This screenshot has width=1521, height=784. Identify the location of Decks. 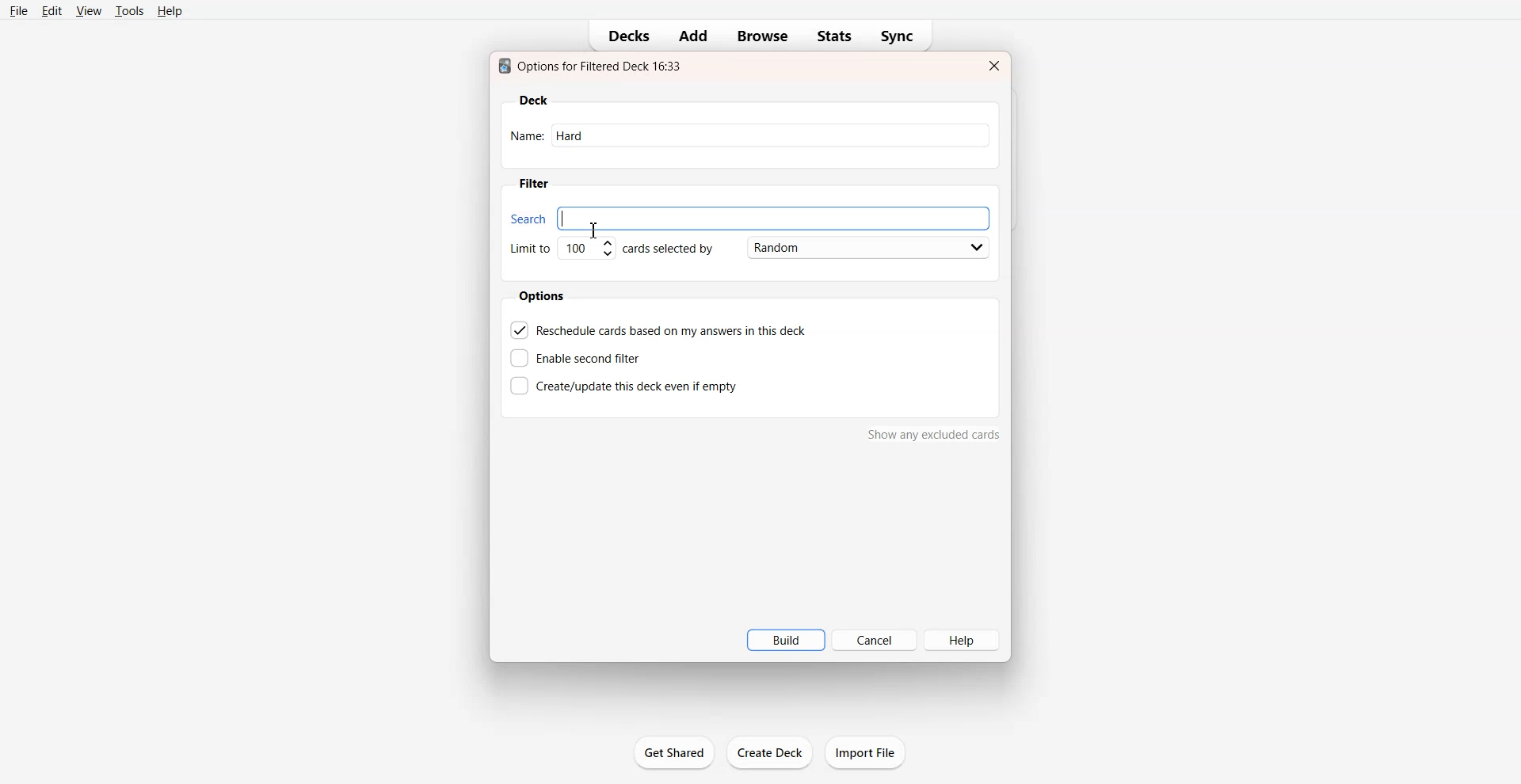
(623, 36).